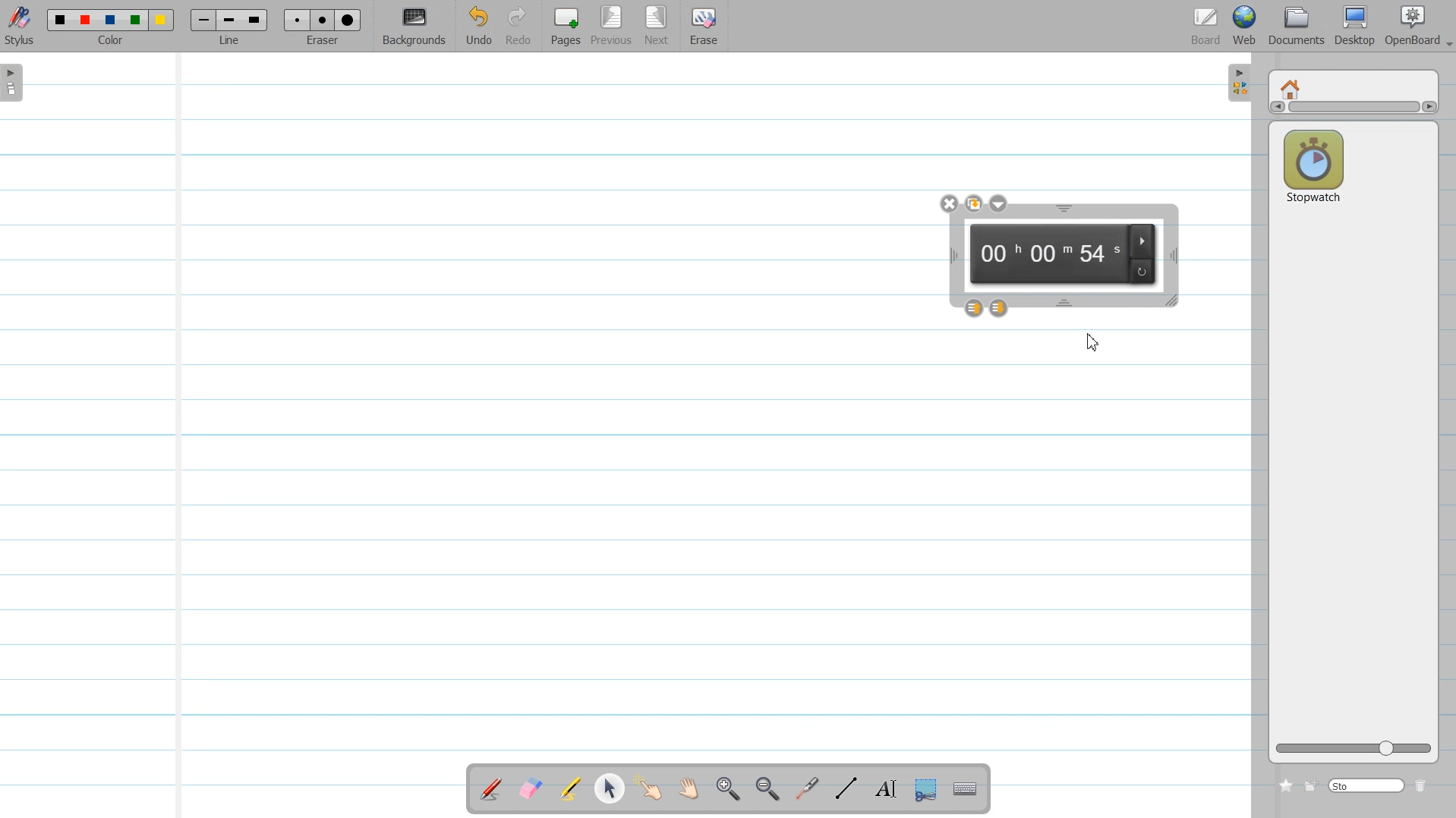 Image resolution: width=1456 pixels, height=818 pixels. I want to click on Eraser, so click(323, 27).